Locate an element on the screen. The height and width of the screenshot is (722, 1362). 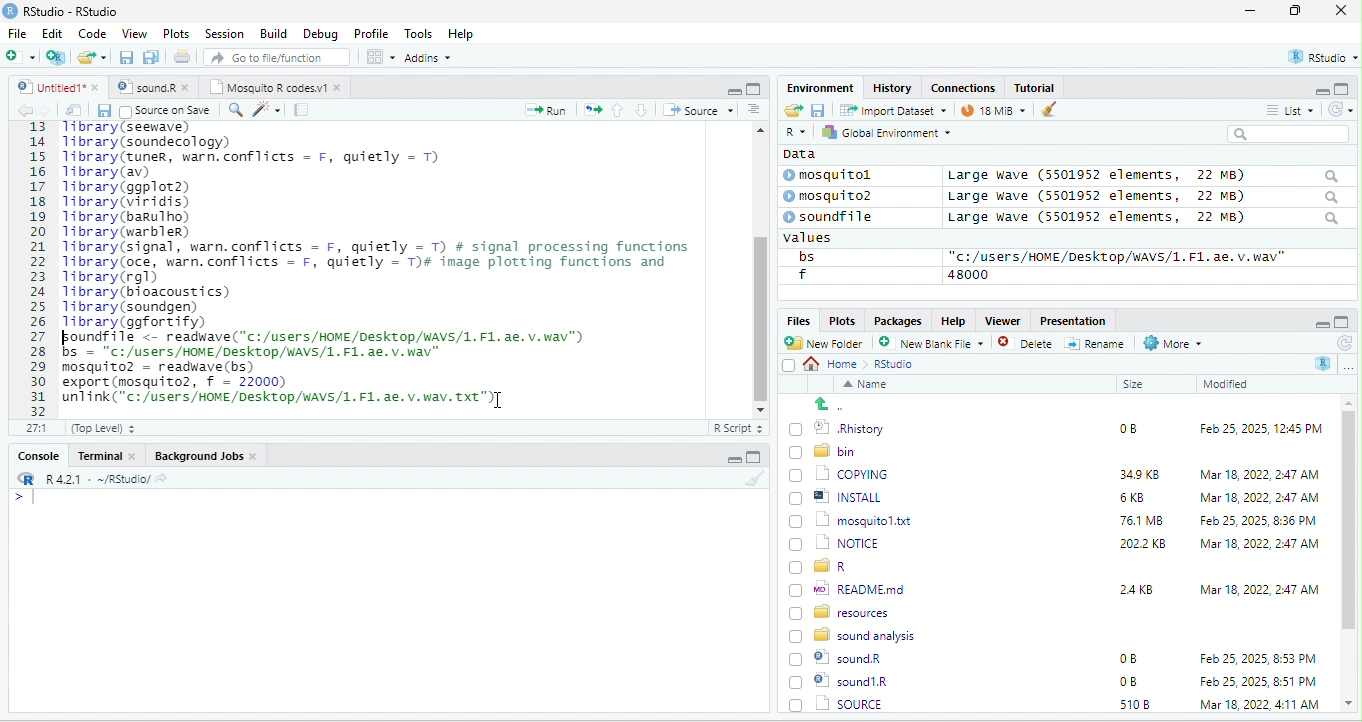
Mar 18, 2022, 2:47 AM is located at coordinates (1254, 499).